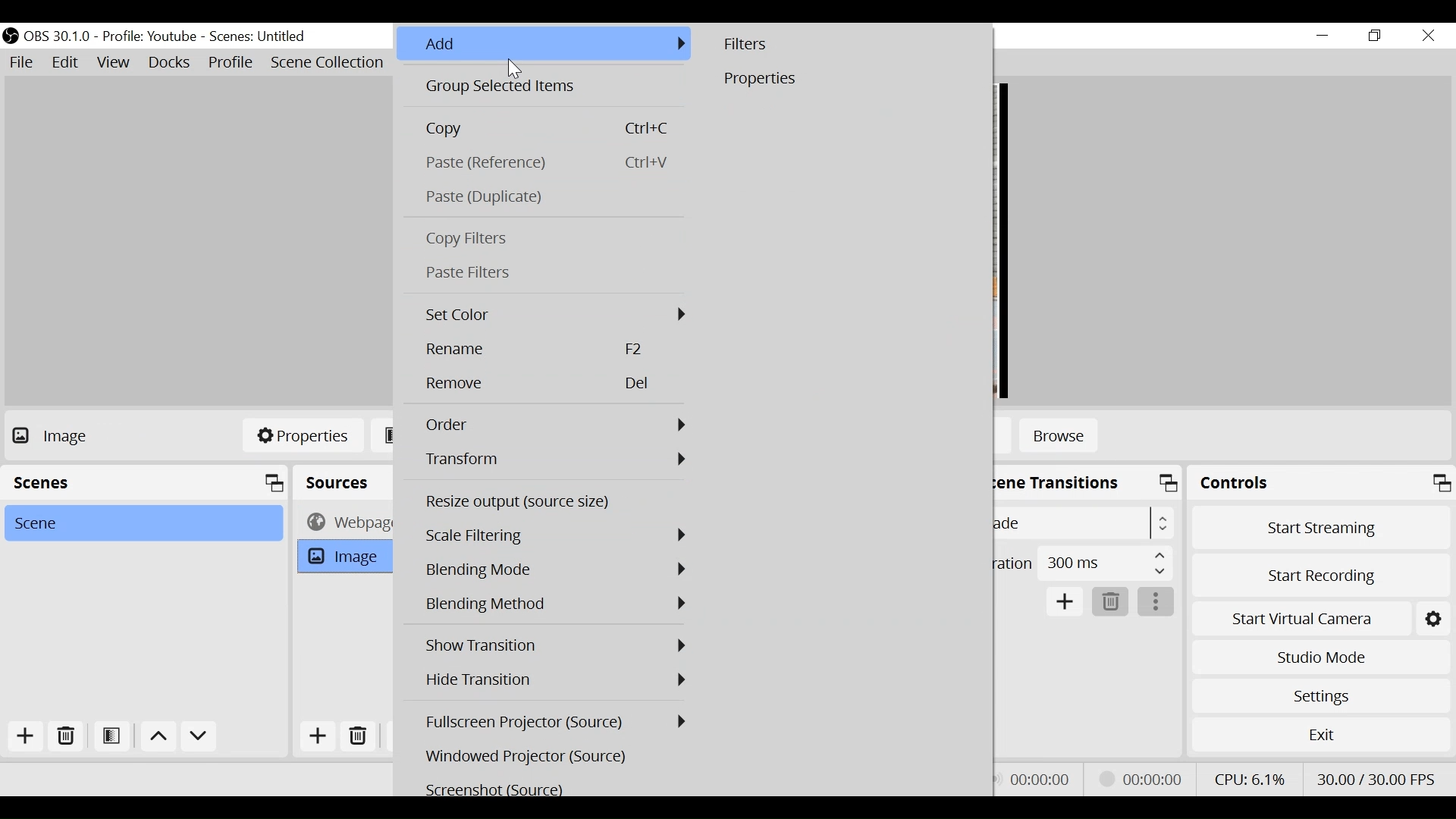 This screenshot has height=819, width=1456. What do you see at coordinates (552, 315) in the screenshot?
I see `Set Color` at bounding box center [552, 315].